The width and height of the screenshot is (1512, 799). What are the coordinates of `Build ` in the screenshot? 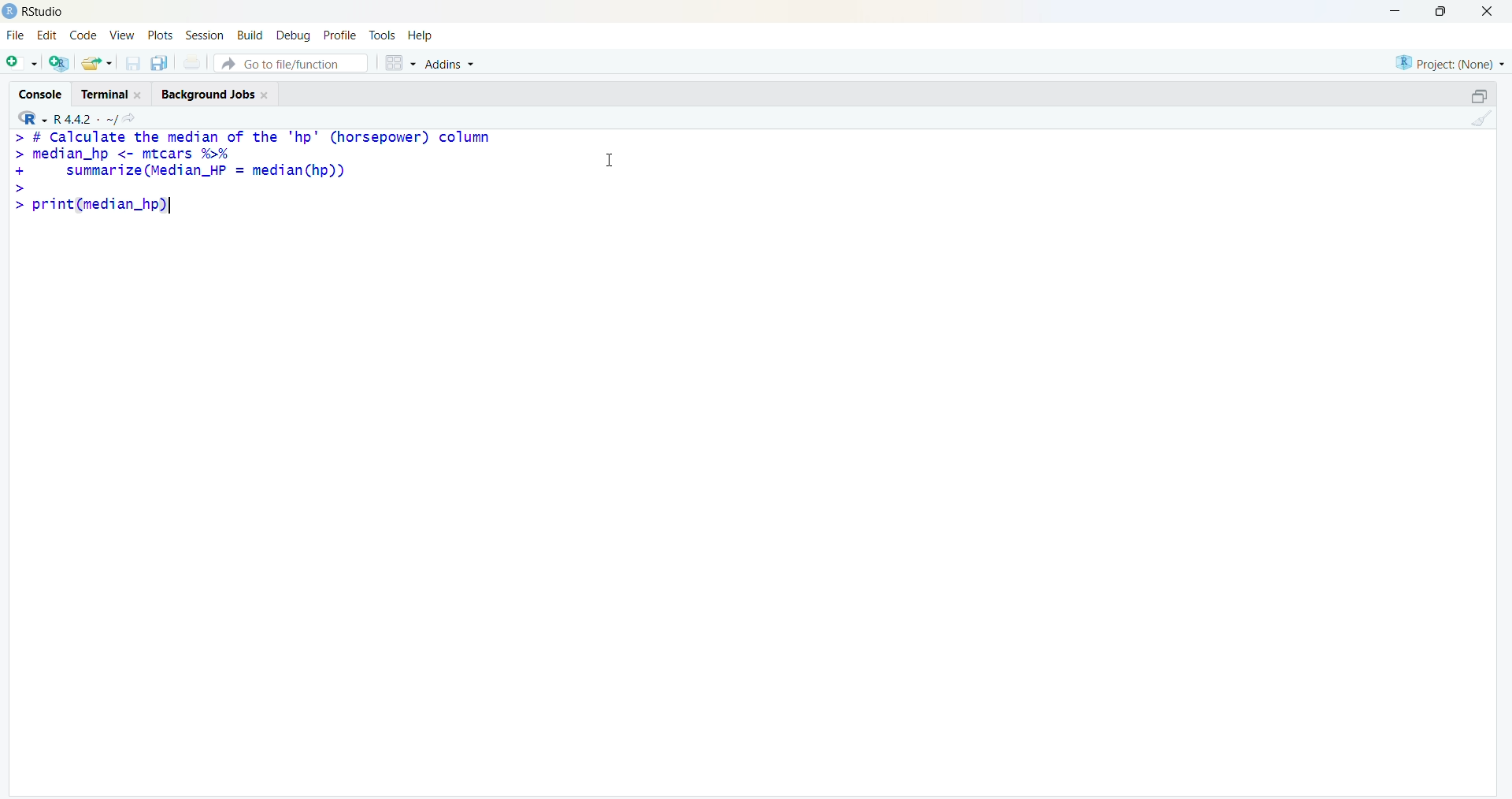 It's located at (252, 36).